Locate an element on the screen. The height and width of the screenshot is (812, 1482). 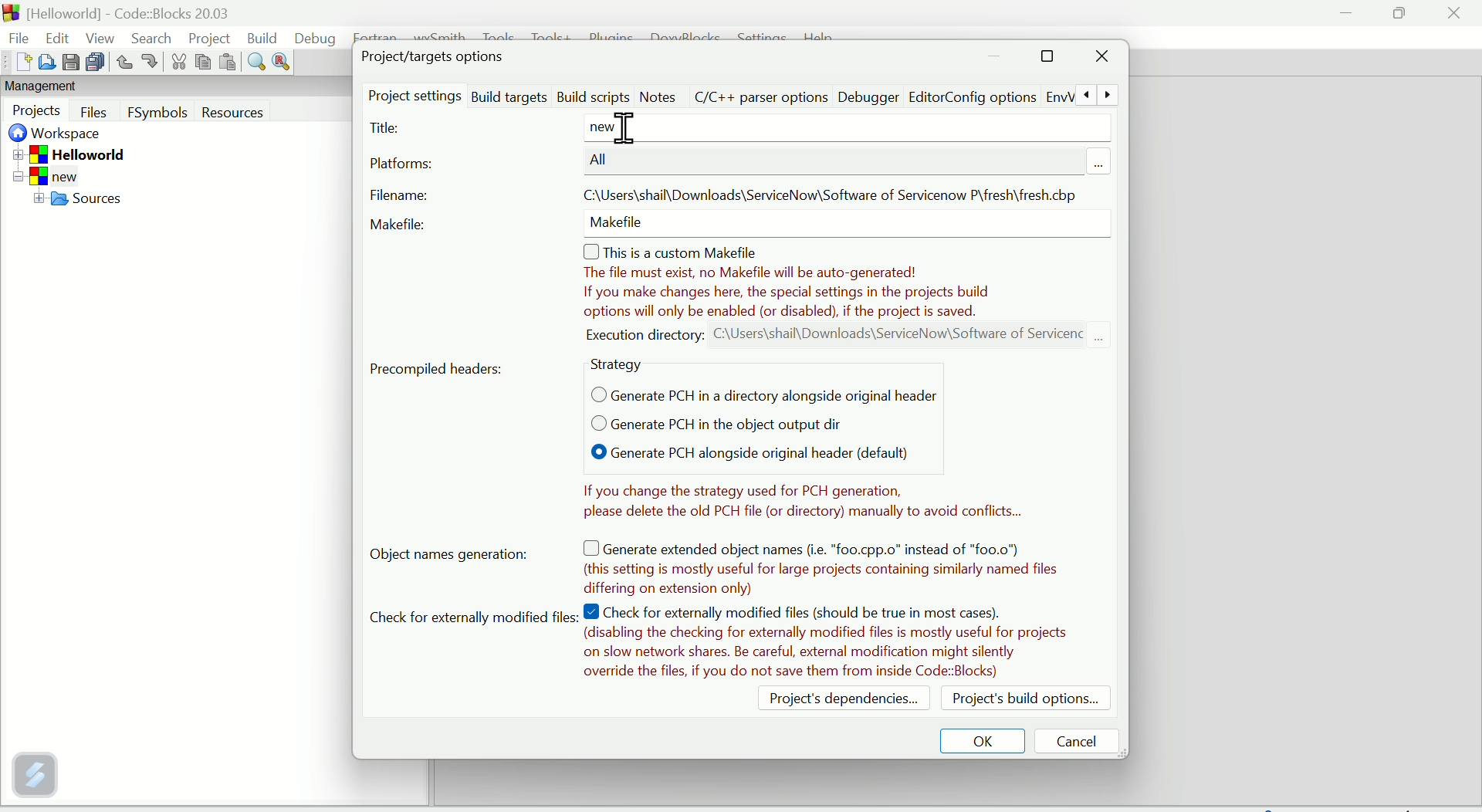
Debugger is located at coordinates (867, 97).